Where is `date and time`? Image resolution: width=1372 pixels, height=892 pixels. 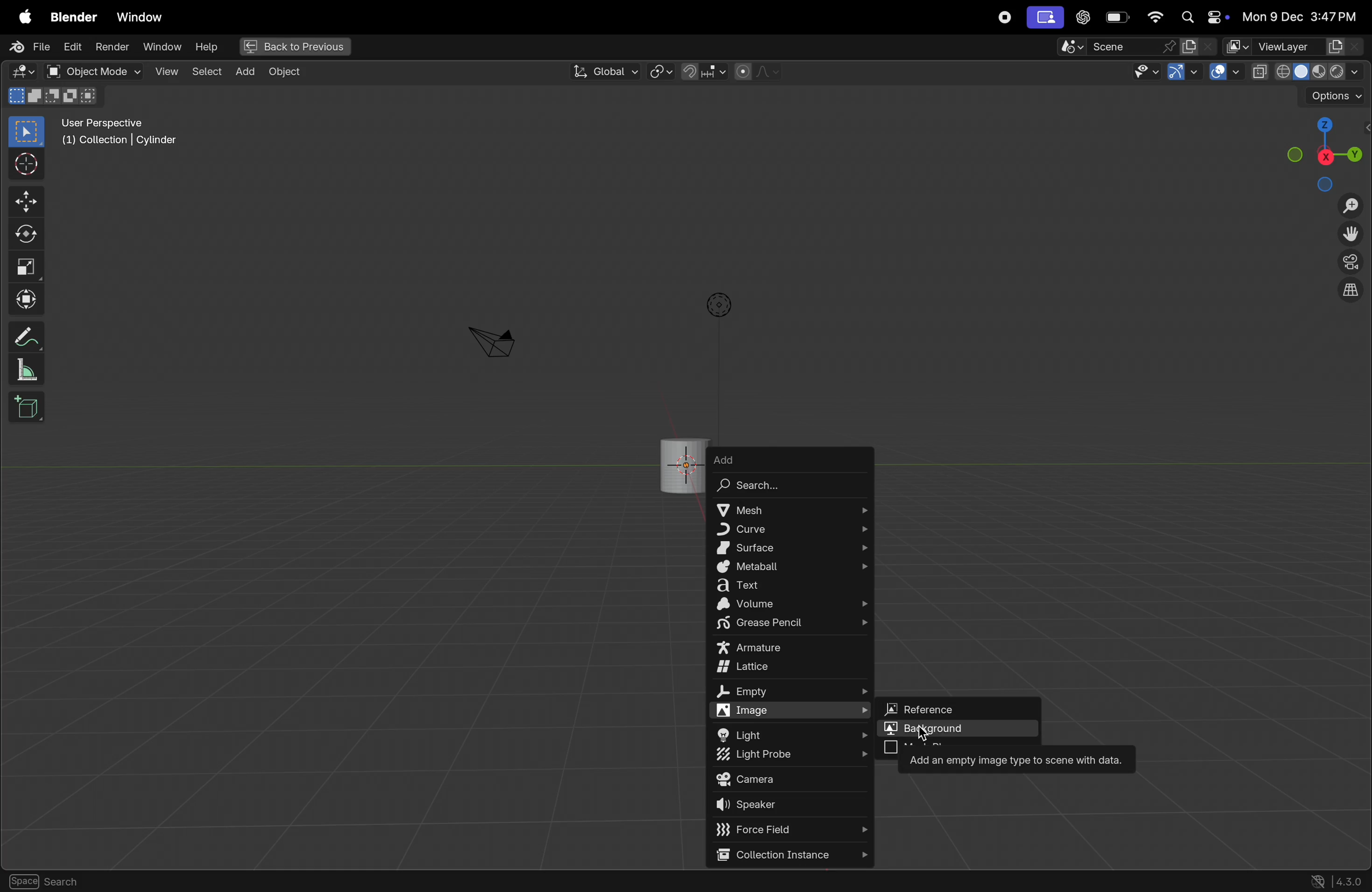
date and time is located at coordinates (1299, 17).